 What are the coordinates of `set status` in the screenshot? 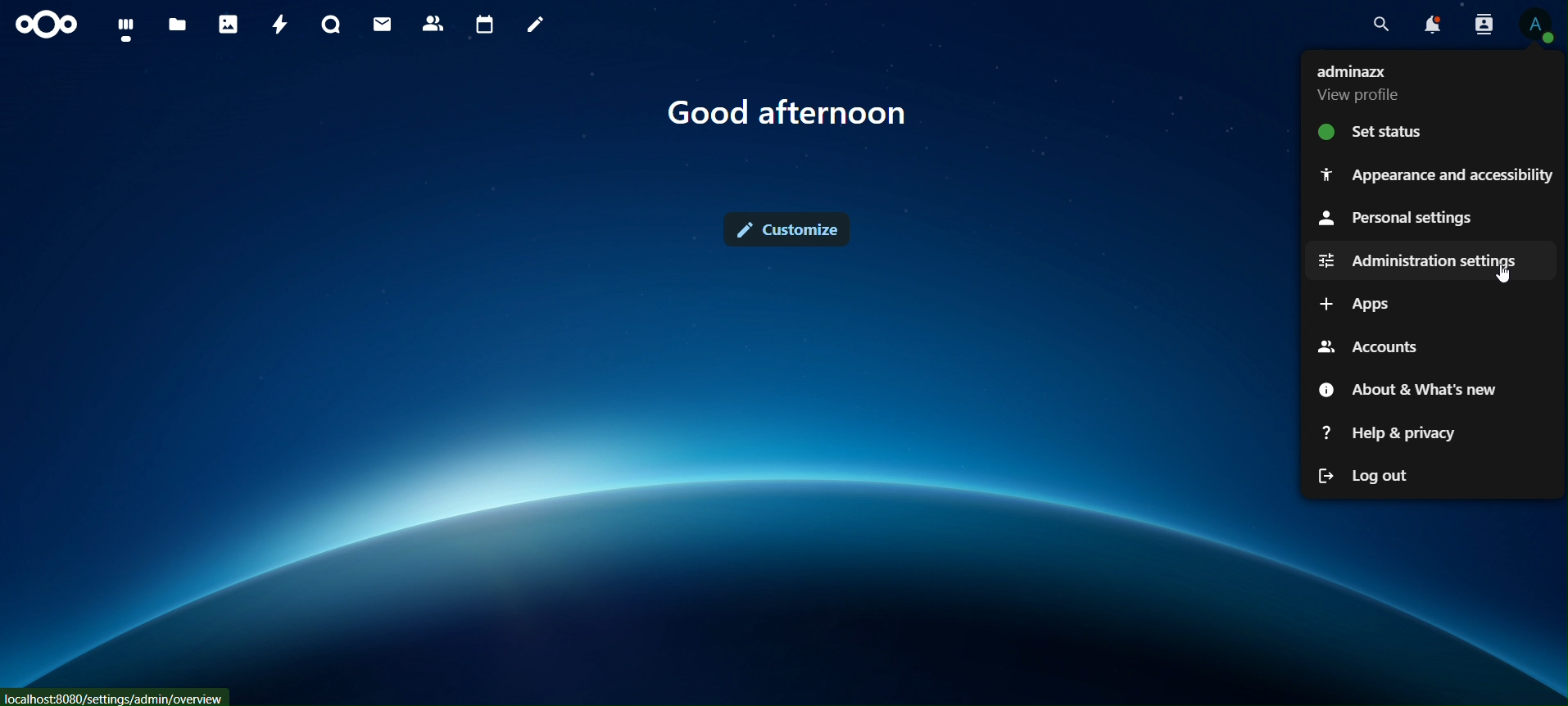 It's located at (1373, 130).